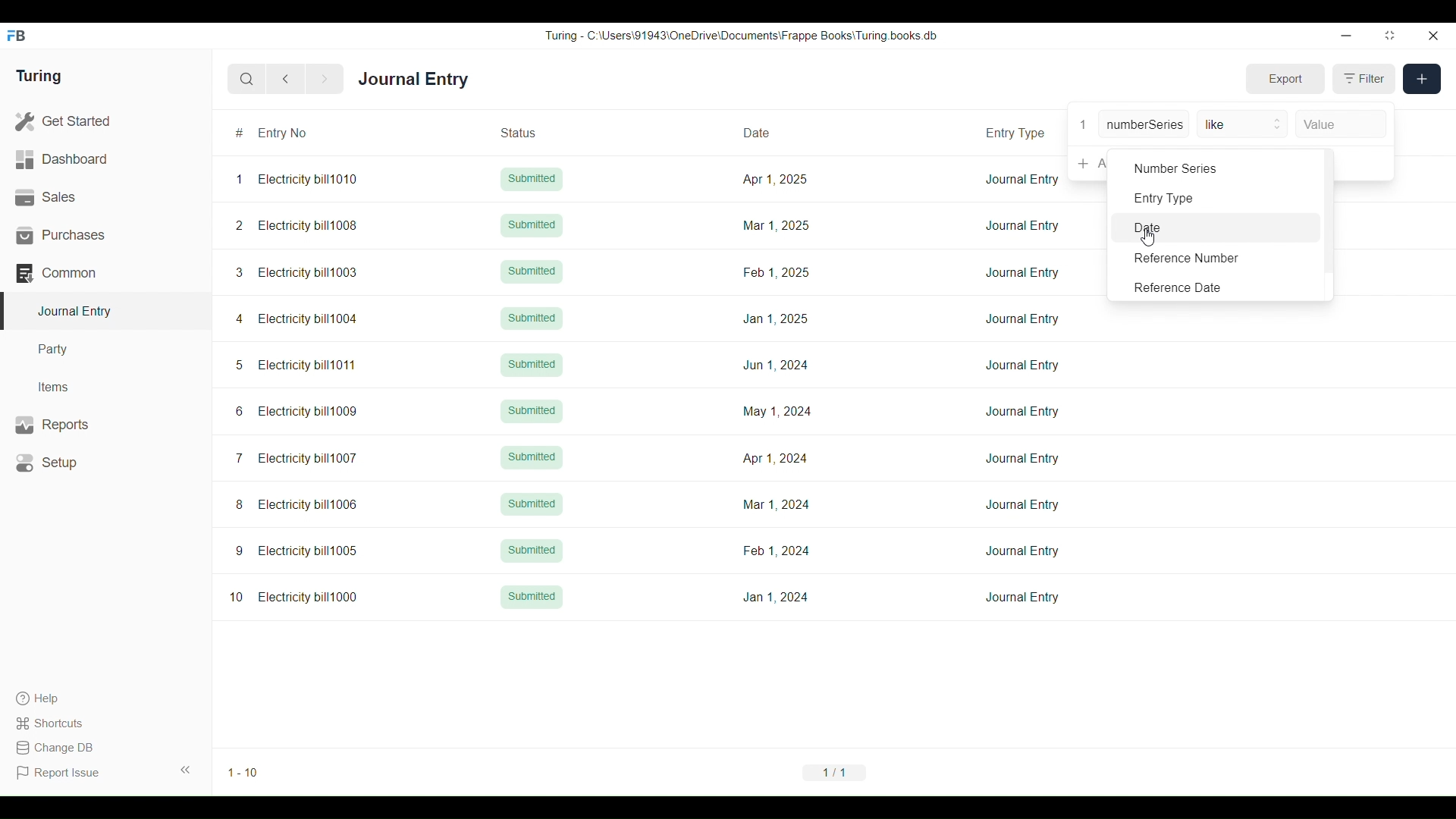 This screenshot has width=1456, height=819. I want to click on Number Series, so click(1216, 168).